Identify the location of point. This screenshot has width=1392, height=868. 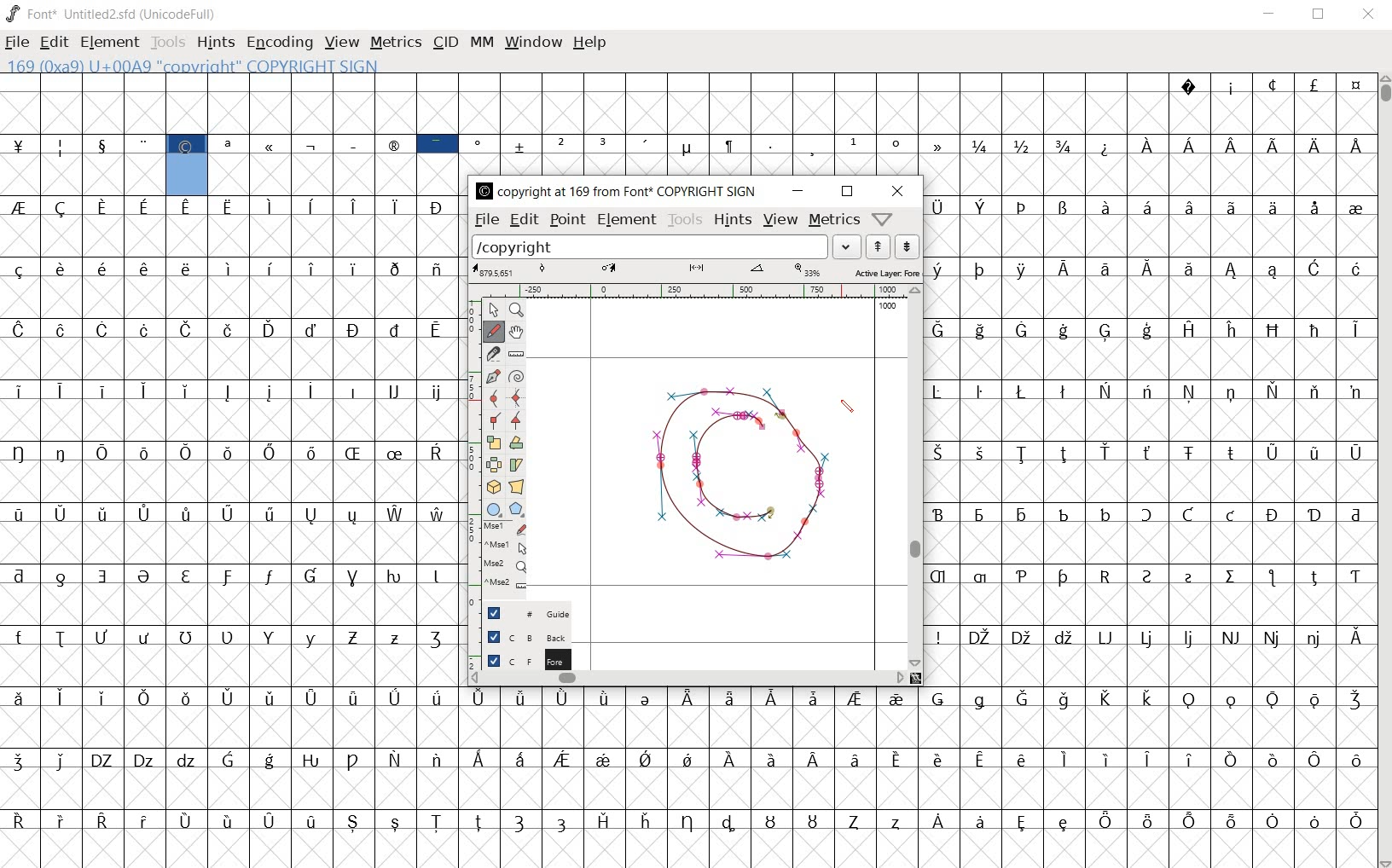
(566, 220).